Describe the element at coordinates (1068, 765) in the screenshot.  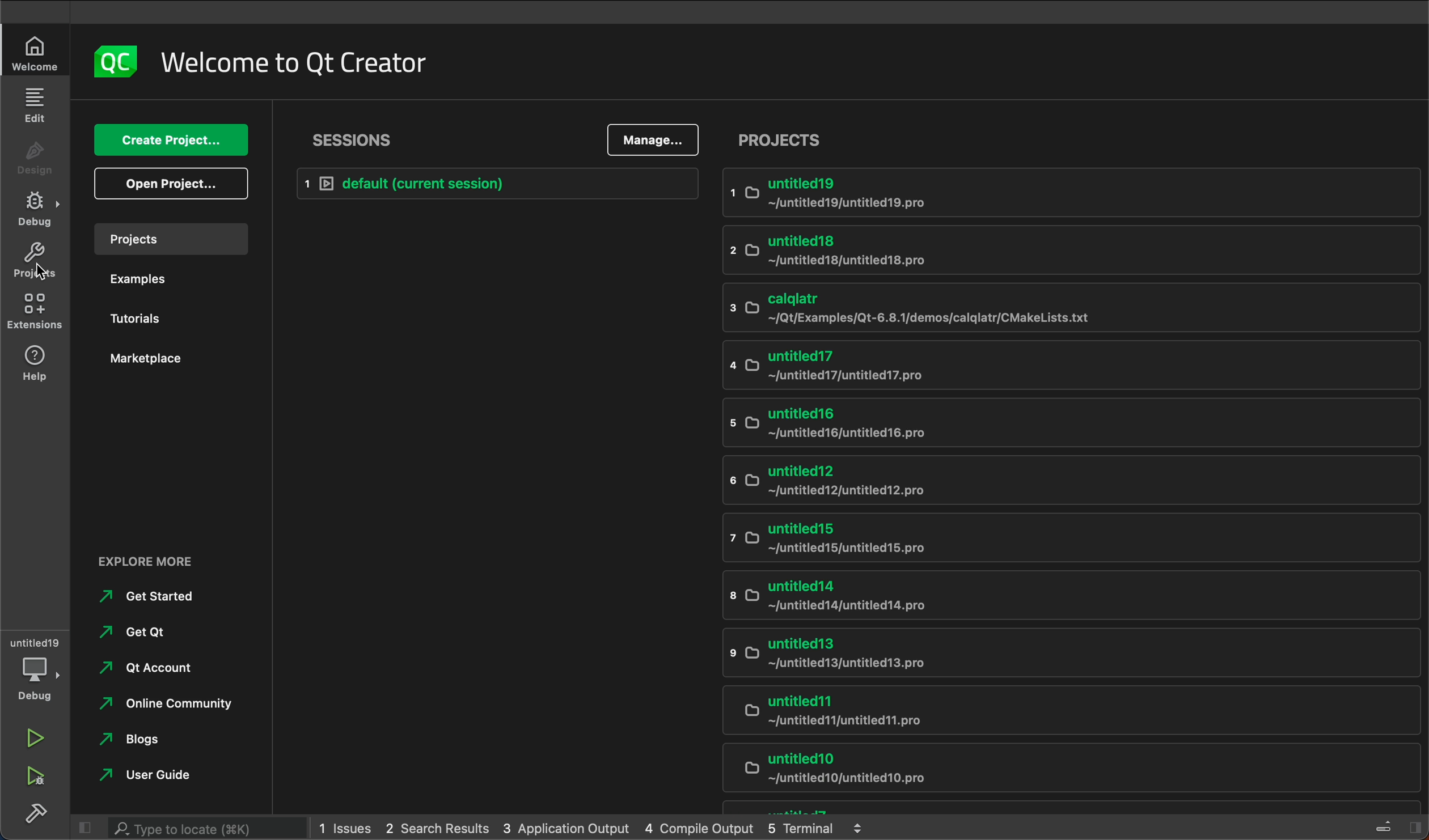
I see `untitled10` at that location.